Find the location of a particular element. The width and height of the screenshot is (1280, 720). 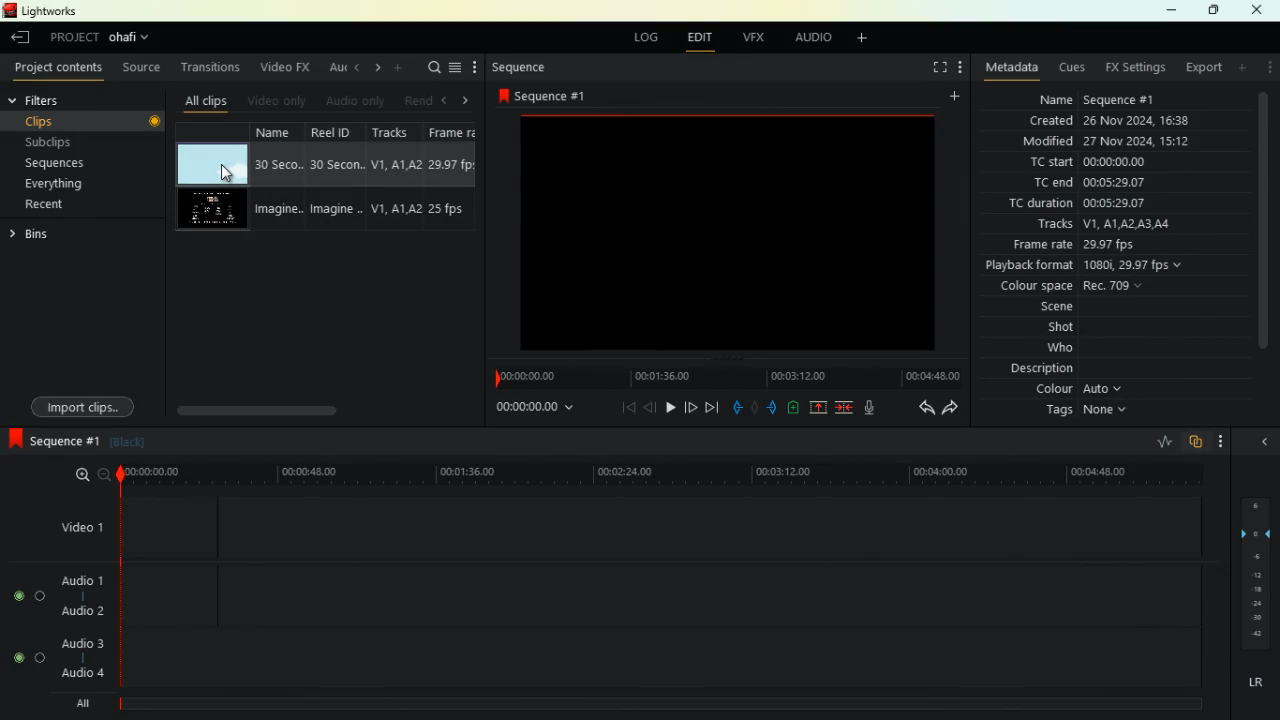

audio 3 is located at coordinates (78, 642).